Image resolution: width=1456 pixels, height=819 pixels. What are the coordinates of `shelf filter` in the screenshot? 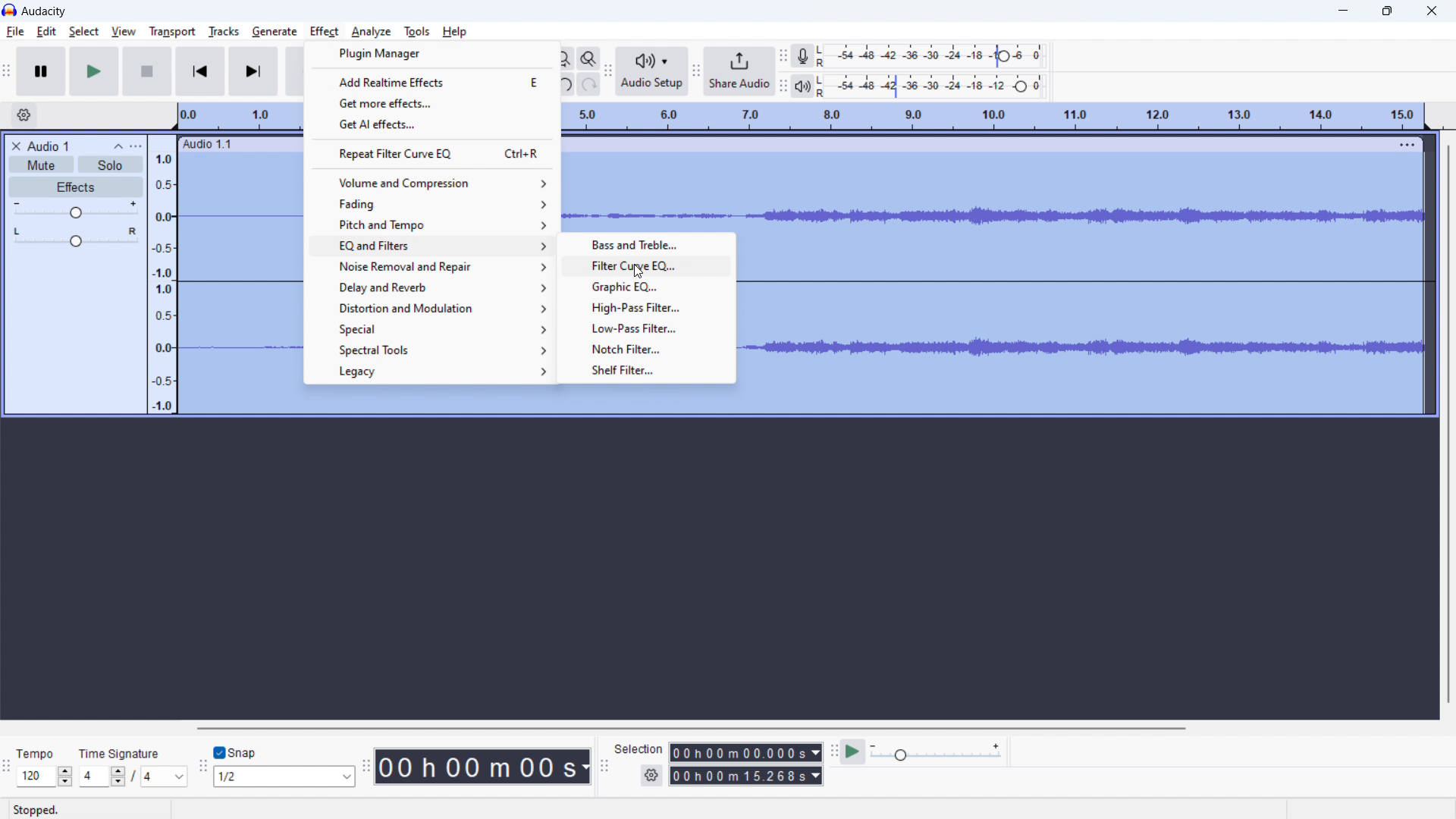 It's located at (647, 371).